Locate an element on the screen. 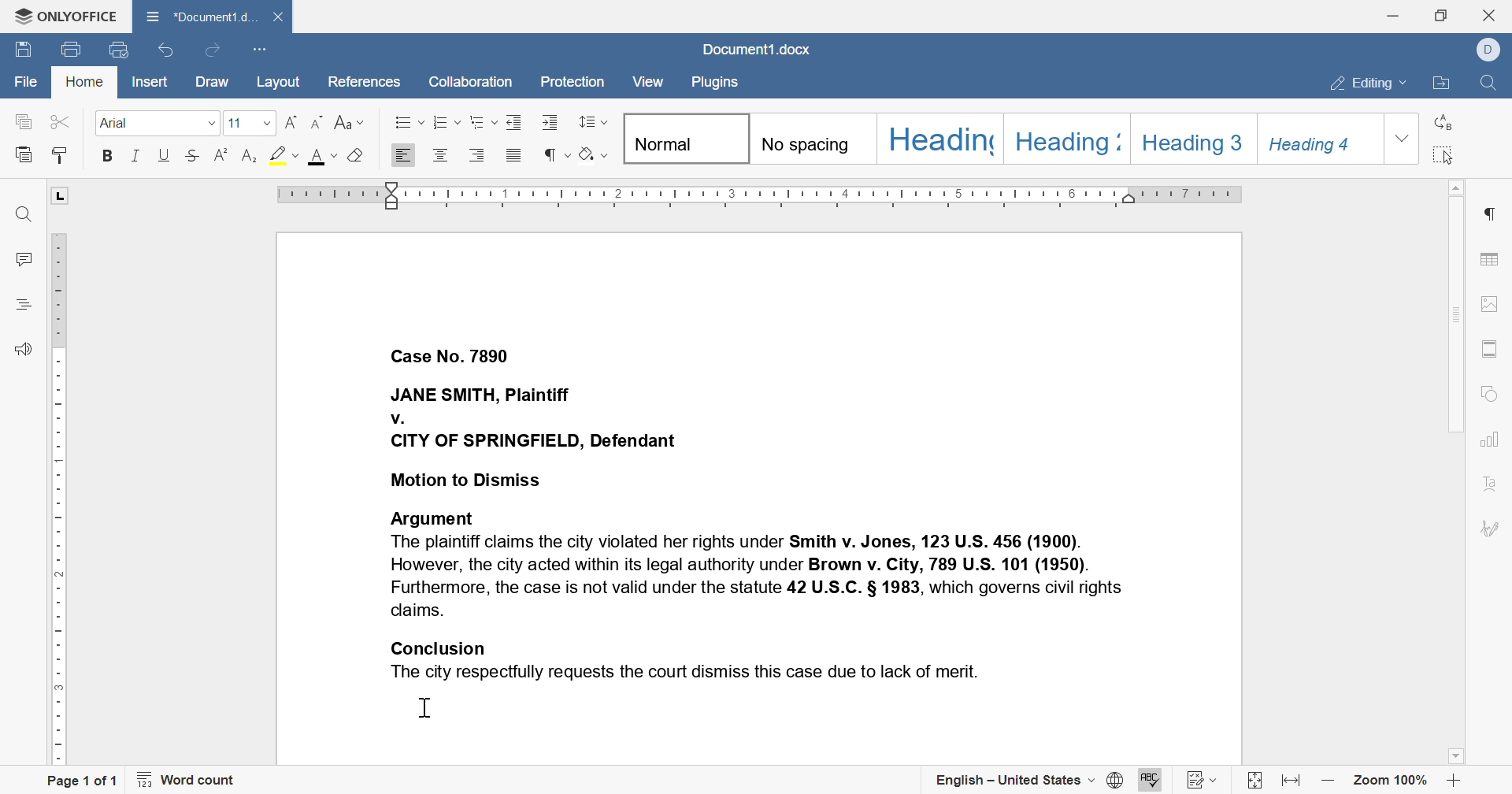 The width and height of the screenshot is (1512, 794). spell checking is located at coordinates (1151, 781).